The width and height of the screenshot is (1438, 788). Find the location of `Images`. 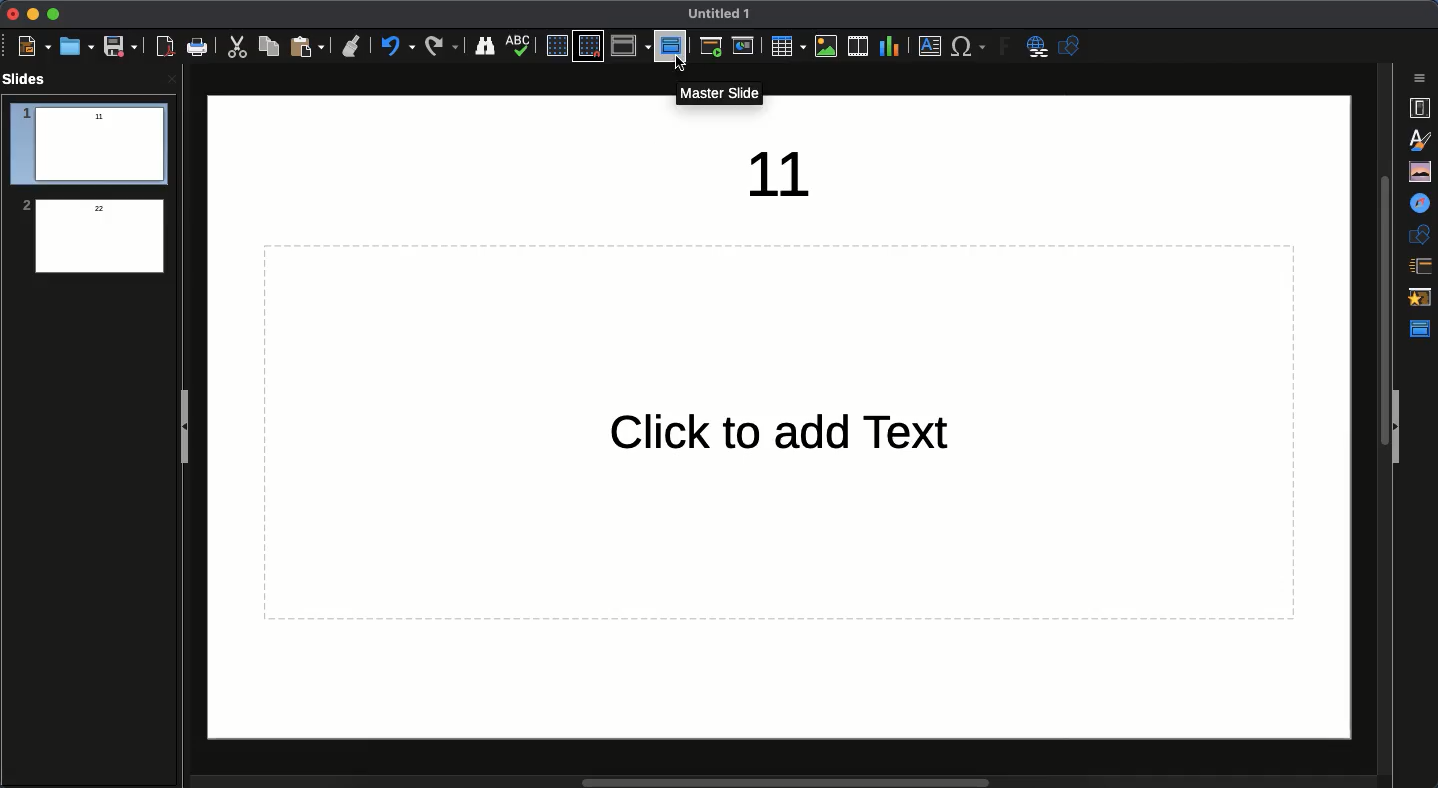

Images is located at coordinates (823, 48).